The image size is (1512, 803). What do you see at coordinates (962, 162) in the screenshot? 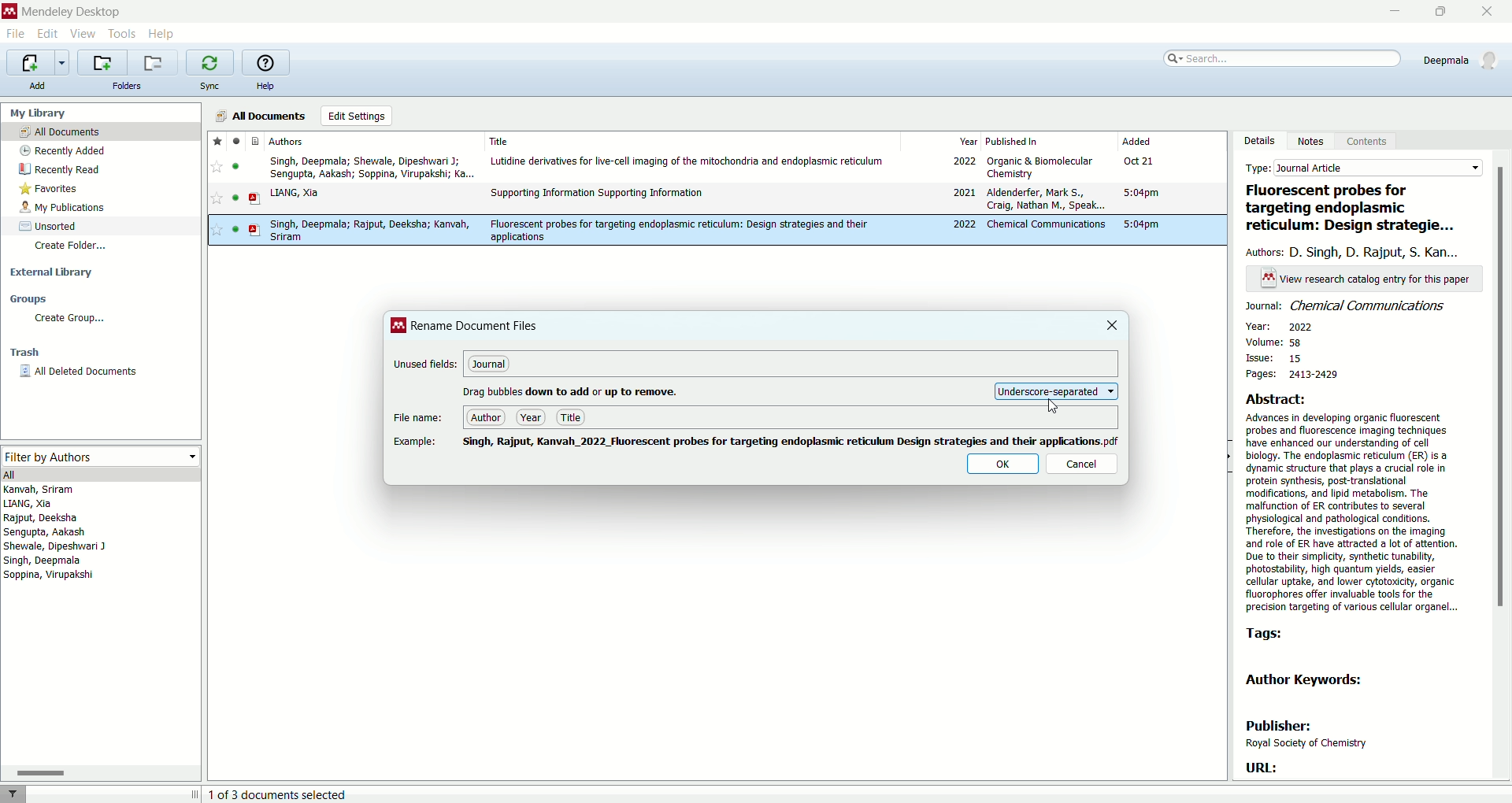
I see `2022` at bounding box center [962, 162].